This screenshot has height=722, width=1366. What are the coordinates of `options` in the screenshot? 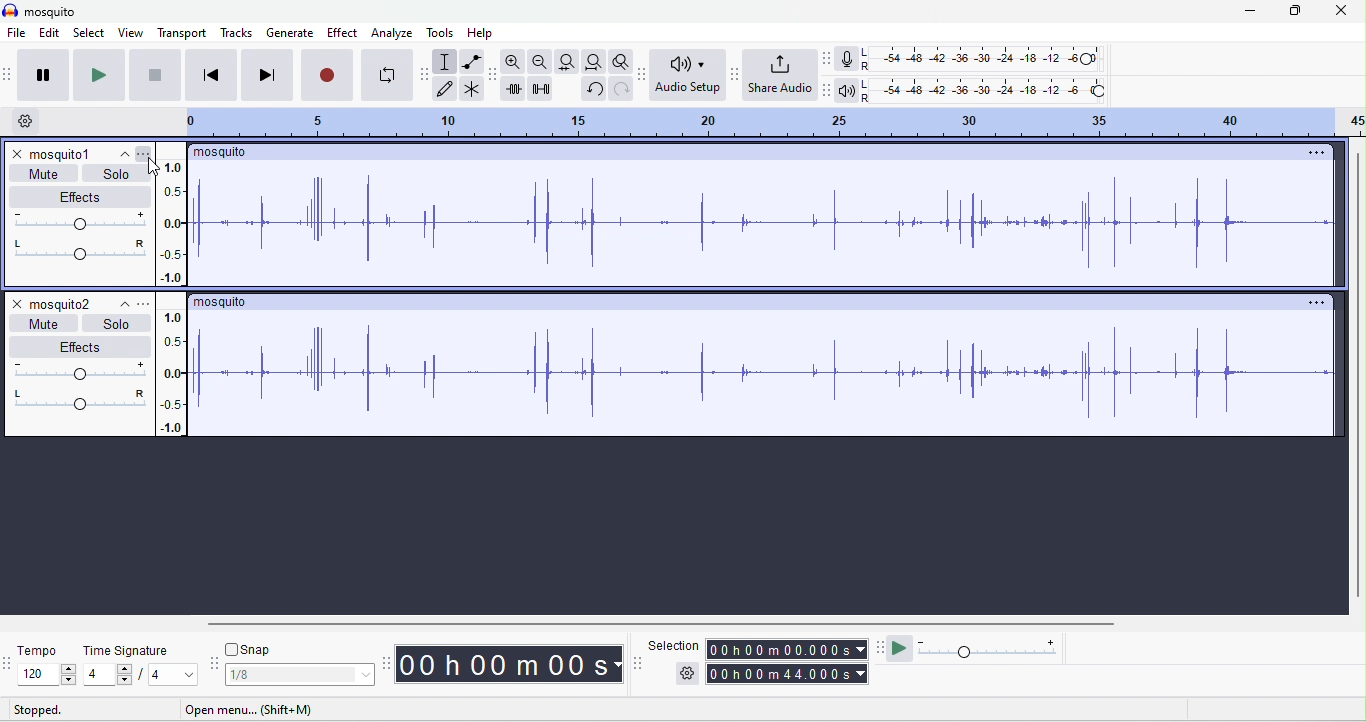 It's located at (1316, 151).